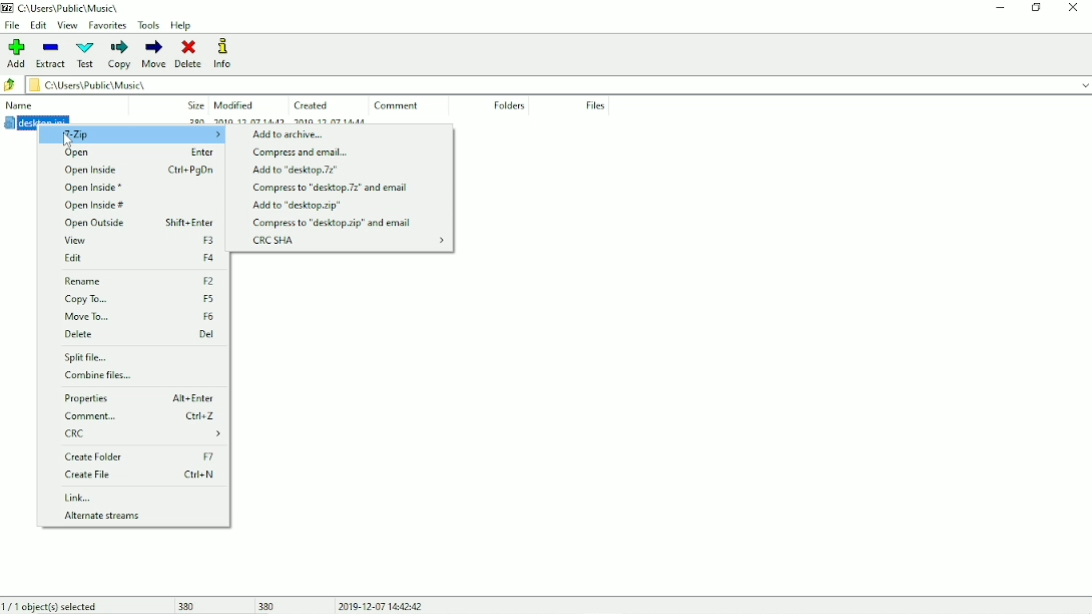 Image resolution: width=1092 pixels, height=614 pixels. What do you see at coordinates (102, 515) in the screenshot?
I see `Alternate streams` at bounding box center [102, 515].